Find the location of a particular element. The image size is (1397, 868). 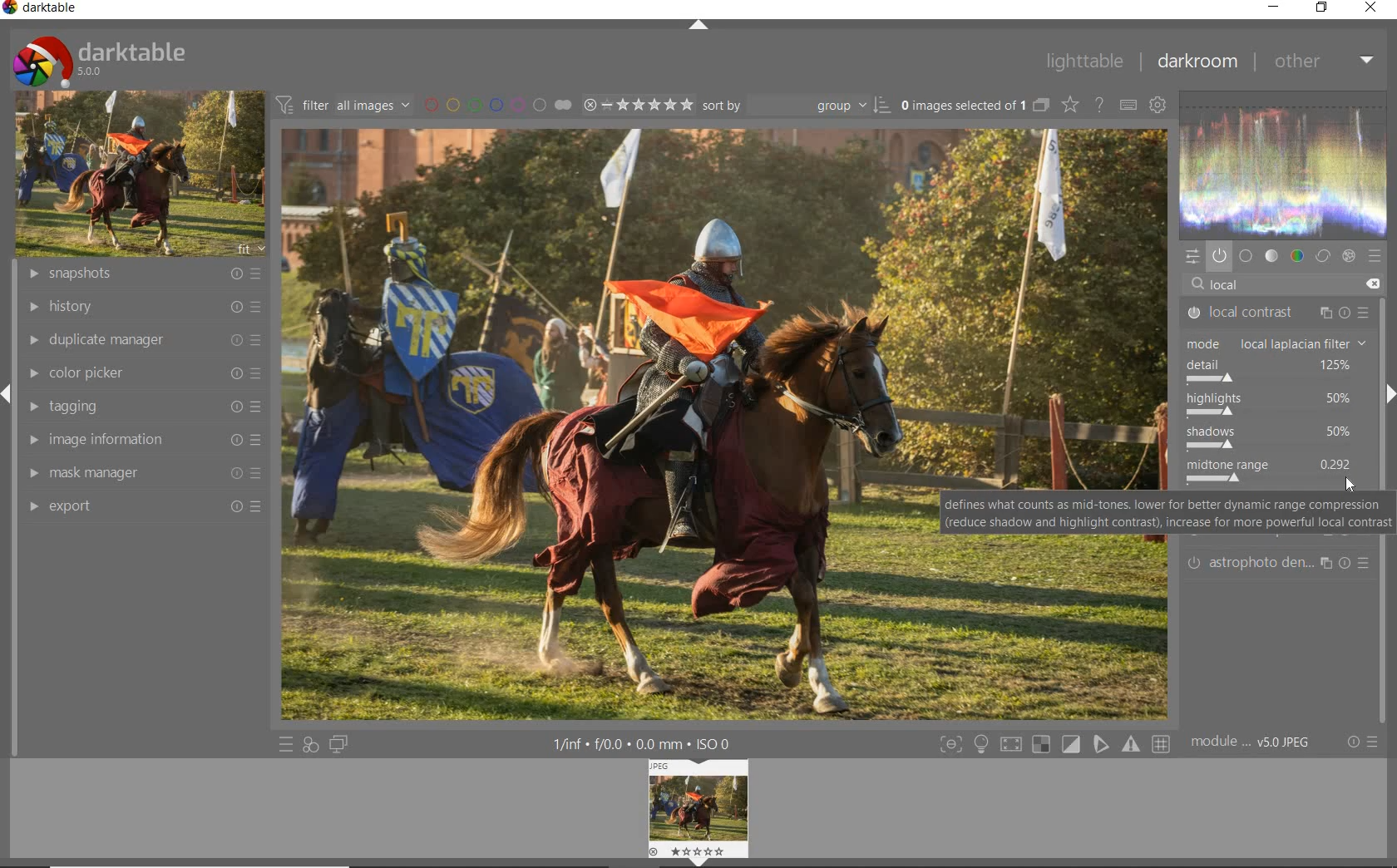

tagging is located at coordinates (141, 407).